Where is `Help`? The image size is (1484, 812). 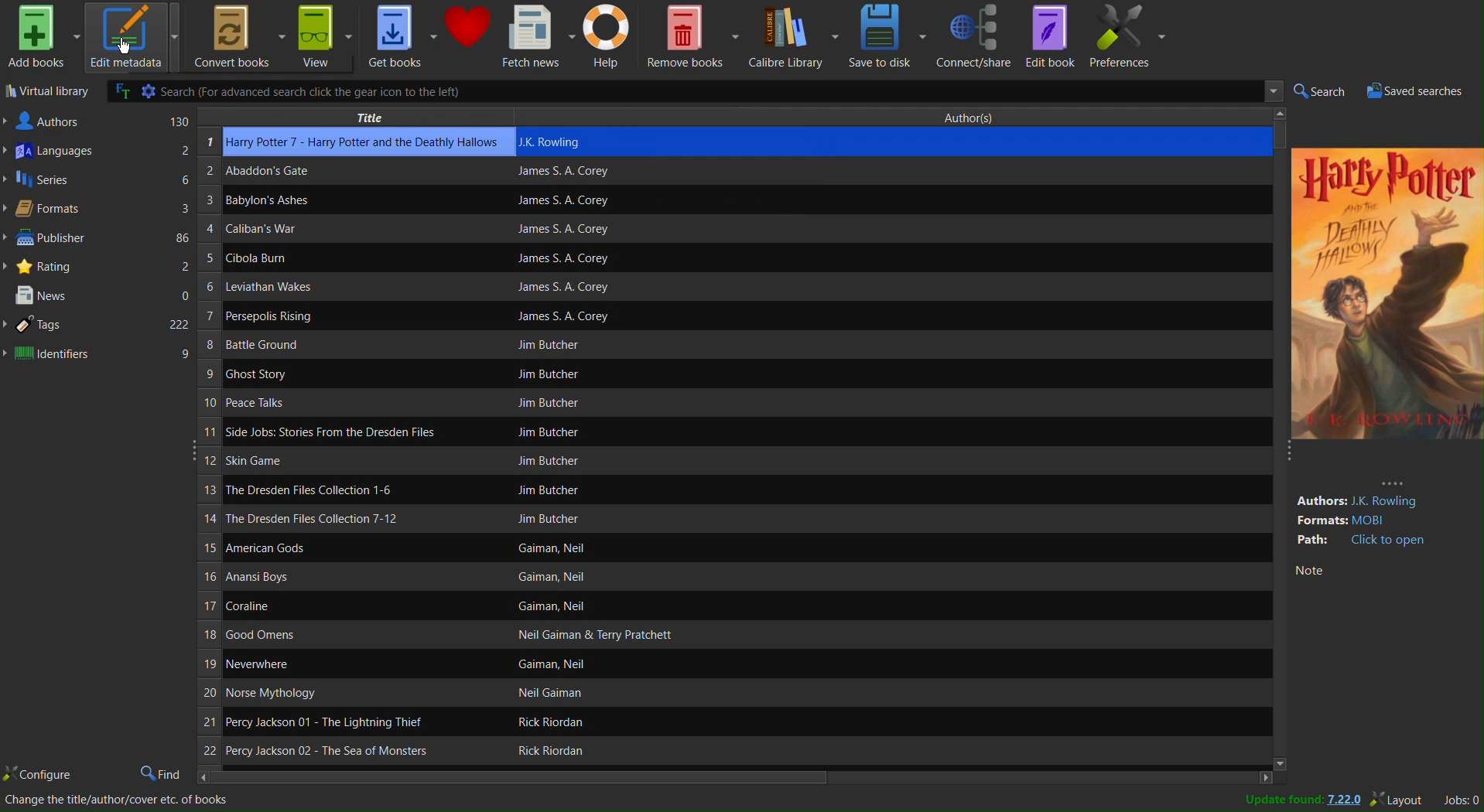 Help is located at coordinates (610, 36).